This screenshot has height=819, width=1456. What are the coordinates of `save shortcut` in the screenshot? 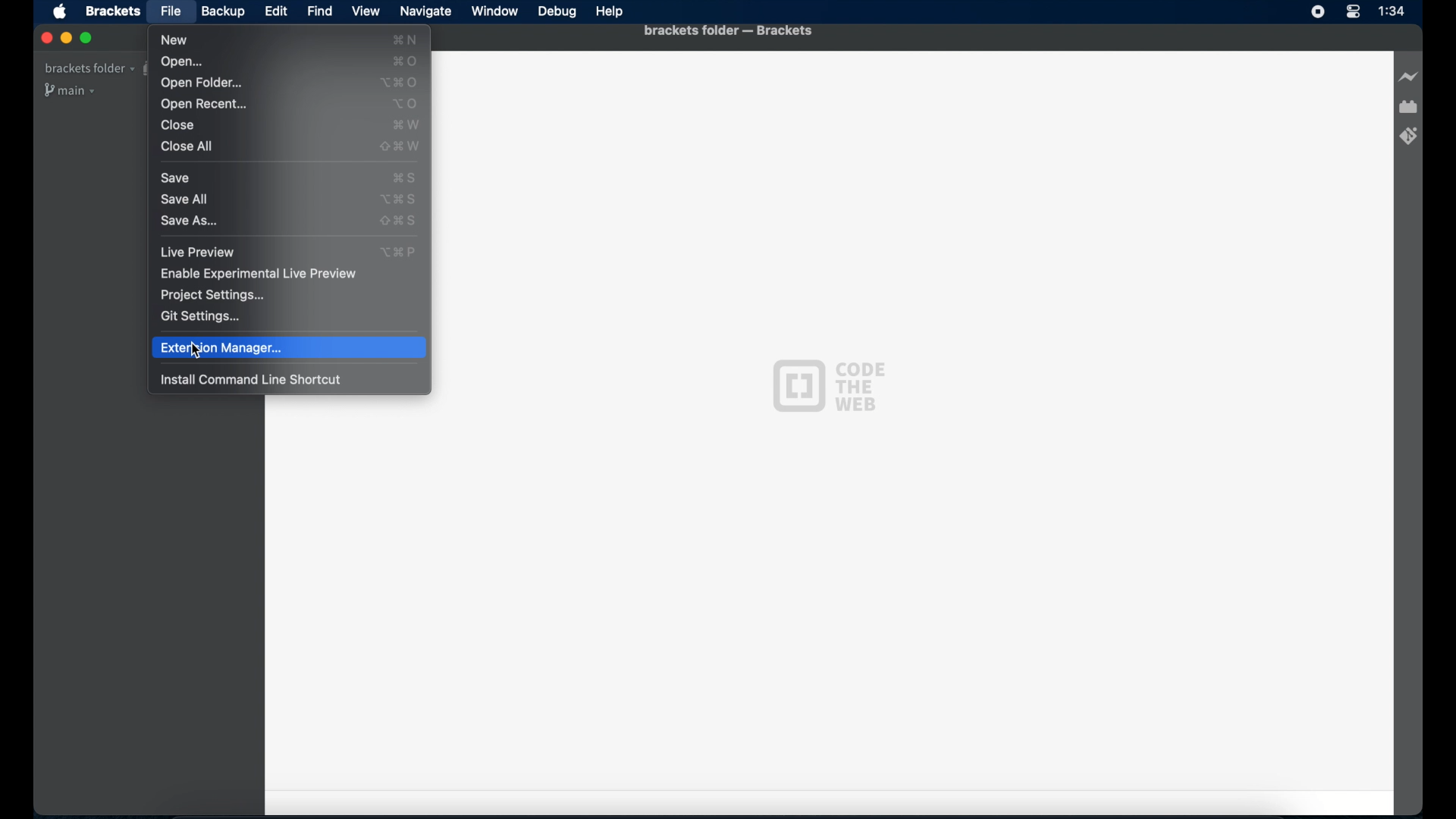 It's located at (406, 178).